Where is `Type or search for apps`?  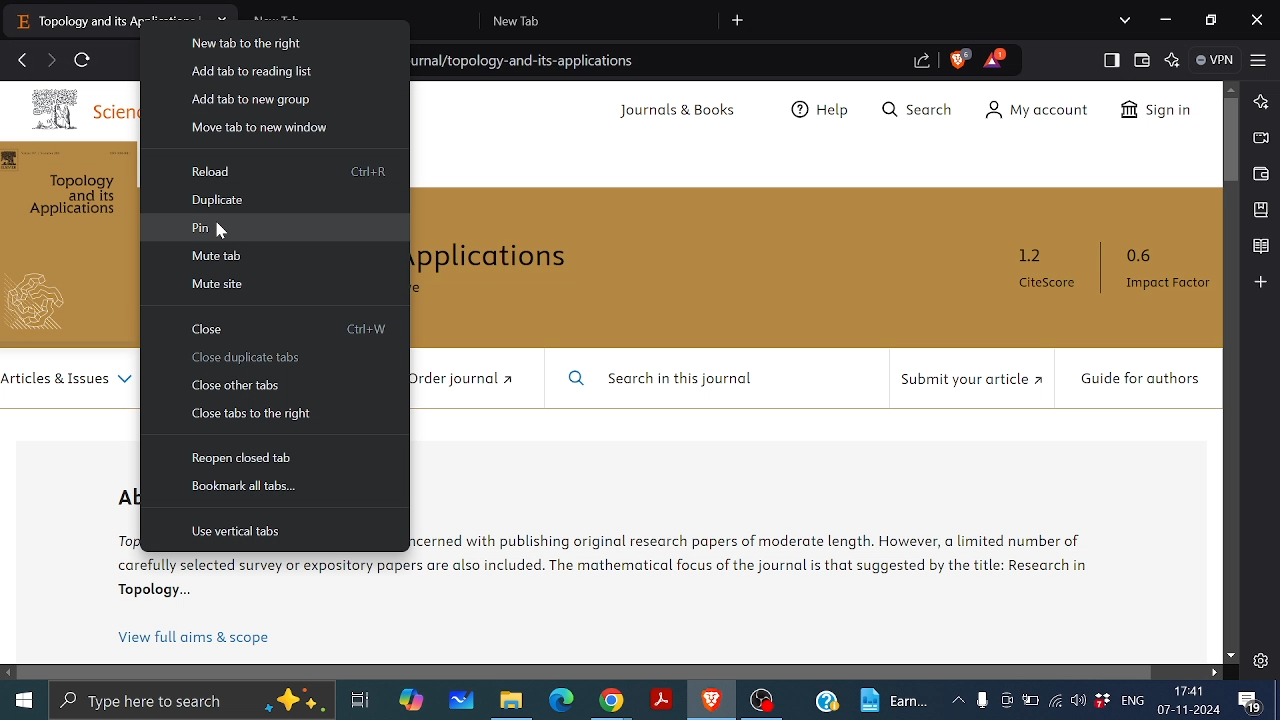 Type or search for apps is located at coordinates (190, 701).